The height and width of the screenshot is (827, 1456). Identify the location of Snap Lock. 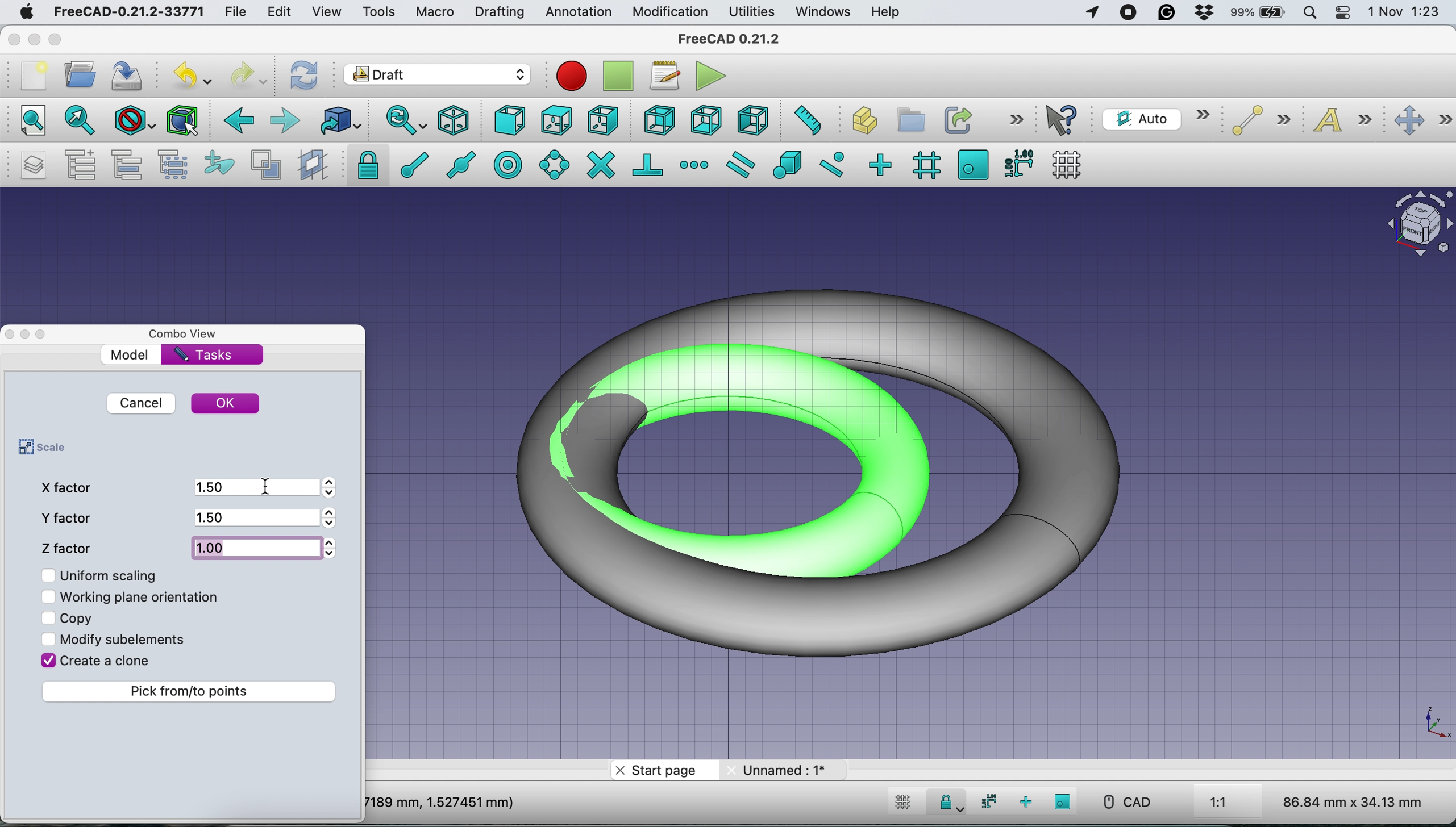
(949, 801).